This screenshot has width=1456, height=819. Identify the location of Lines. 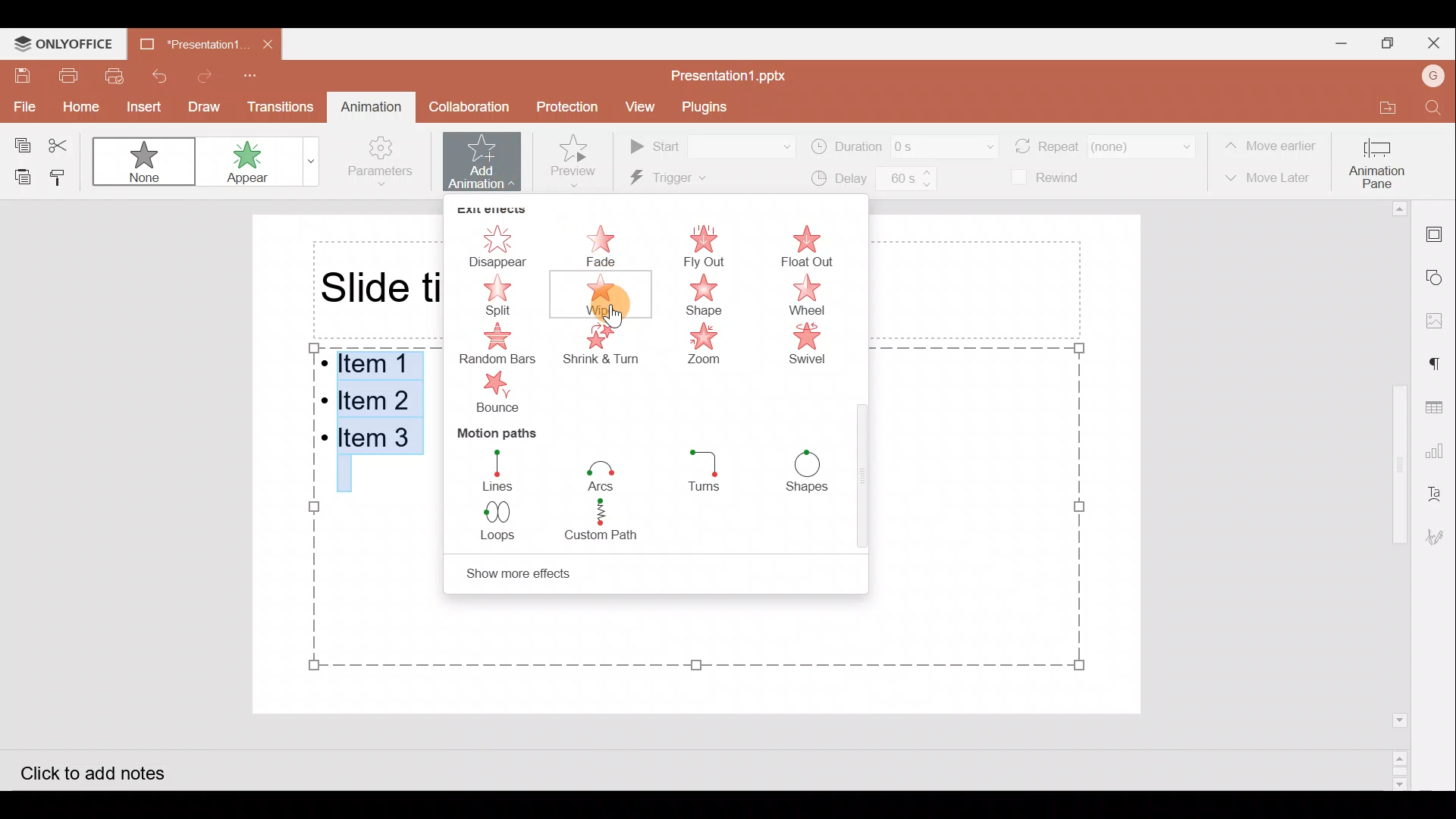
(502, 469).